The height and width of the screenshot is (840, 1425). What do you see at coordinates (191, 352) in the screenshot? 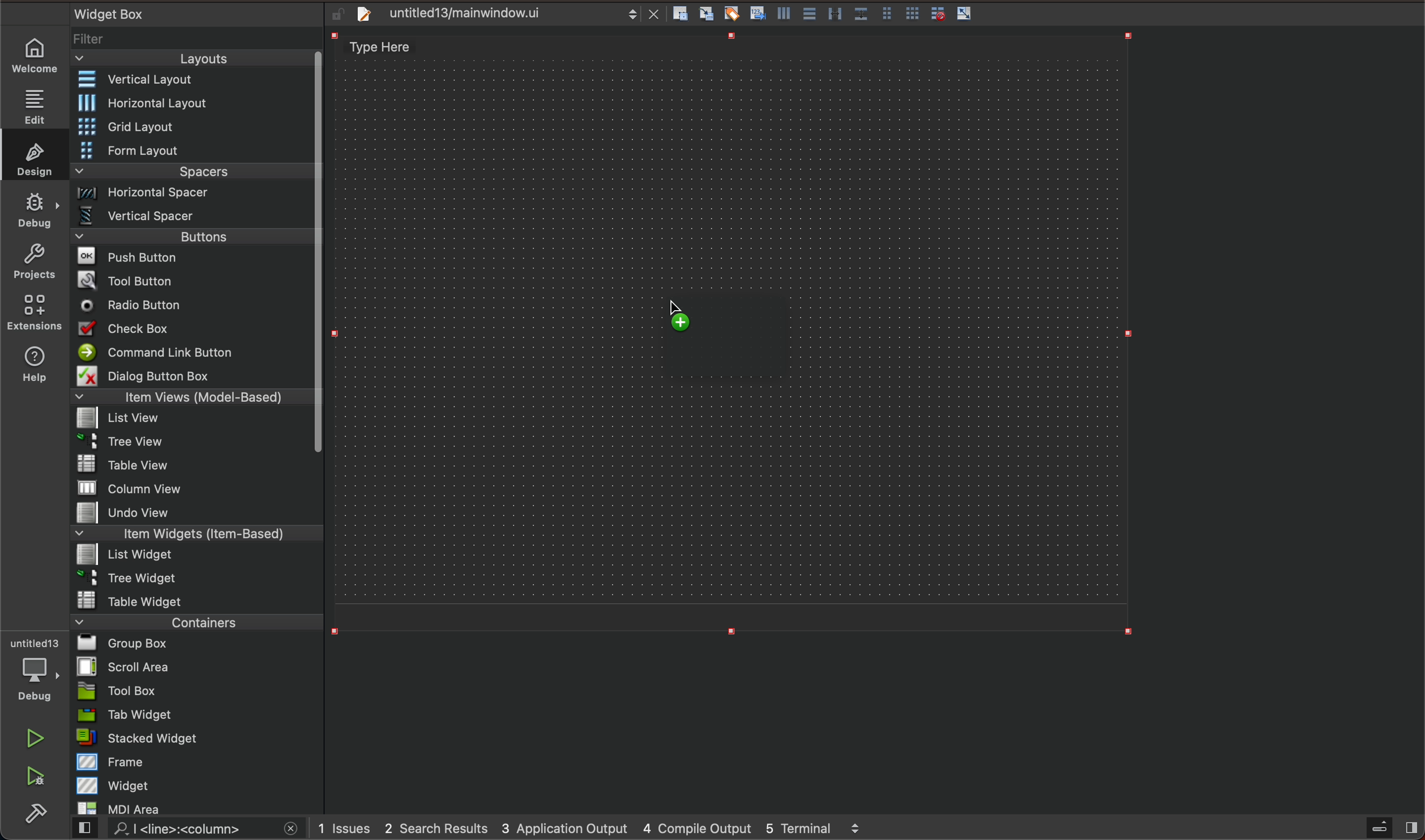
I see `command line button` at bounding box center [191, 352].